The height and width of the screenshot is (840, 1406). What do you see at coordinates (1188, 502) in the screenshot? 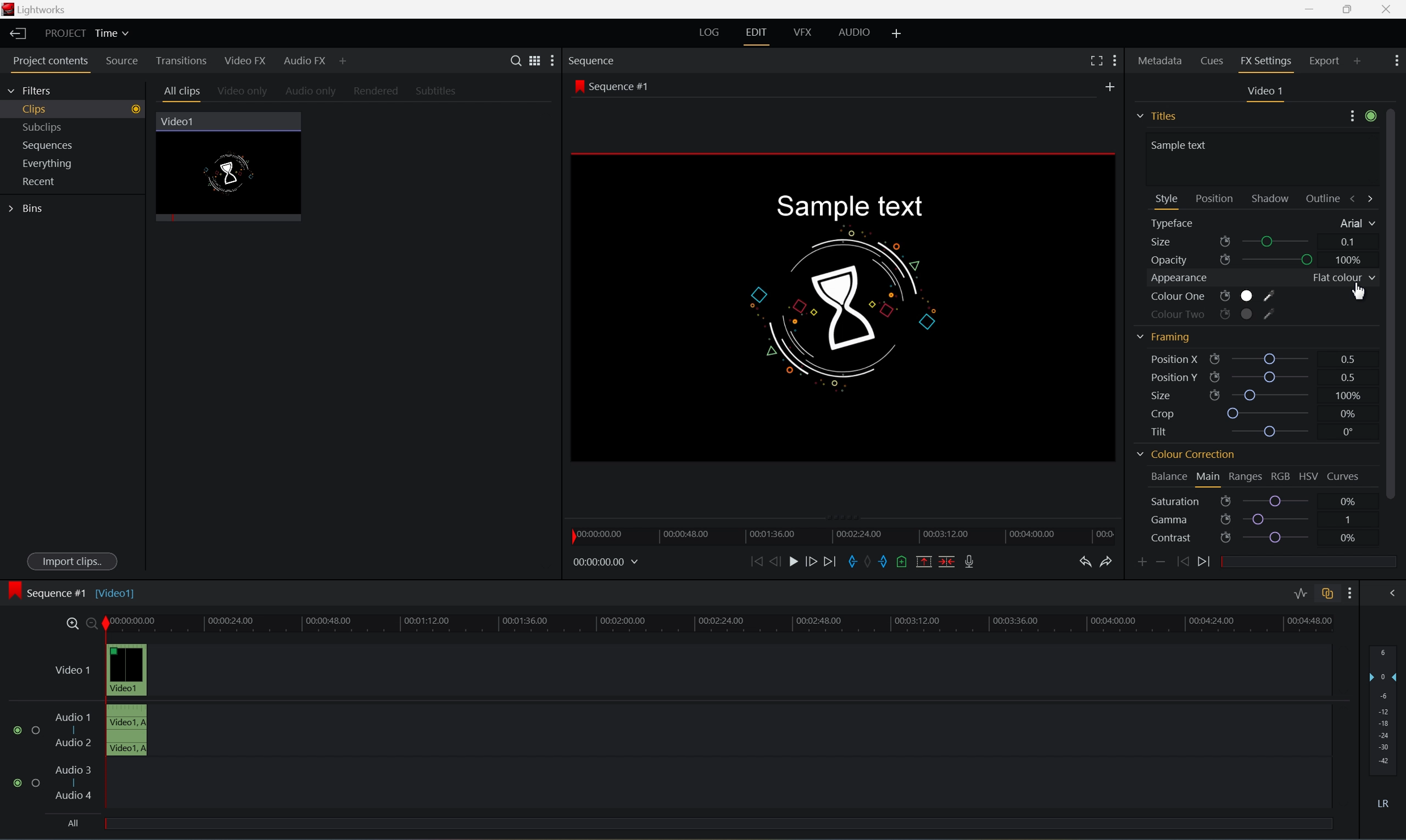
I see `saturation` at bounding box center [1188, 502].